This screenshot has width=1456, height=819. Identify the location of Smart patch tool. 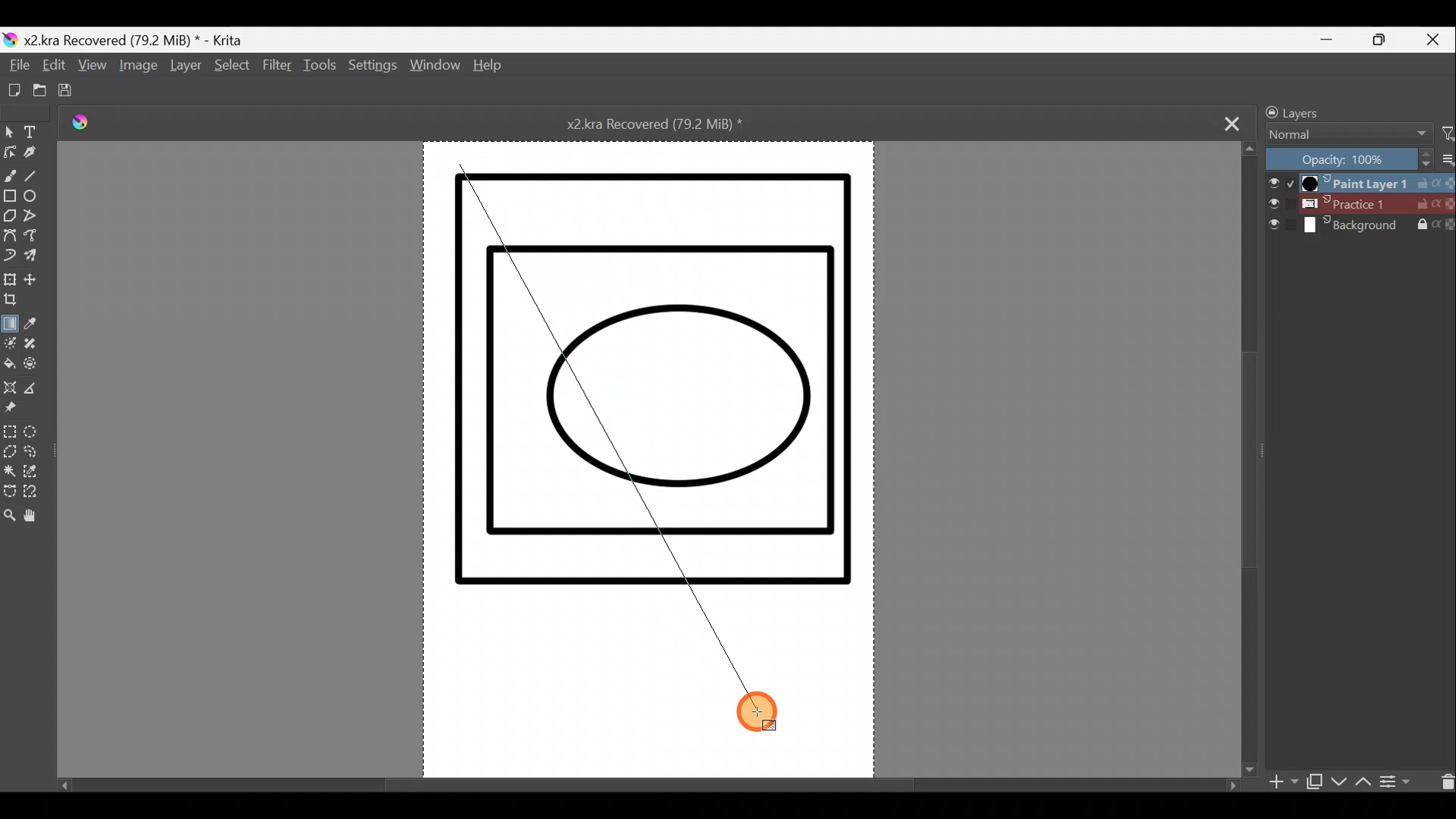
(36, 345).